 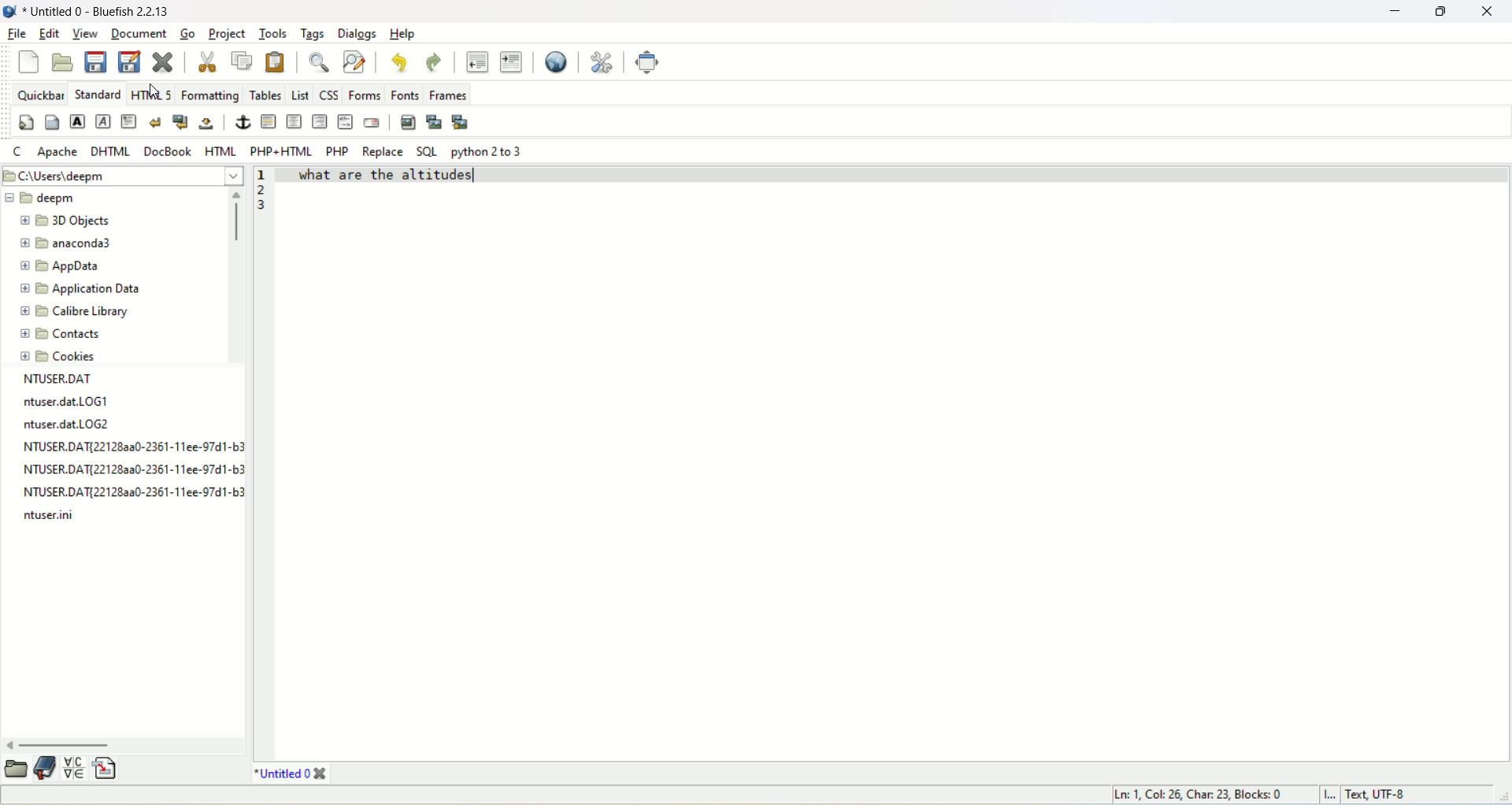 What do you see at coordinates (54, 124) in the screenshot?
I see `body` at bounding box center [54, 124].